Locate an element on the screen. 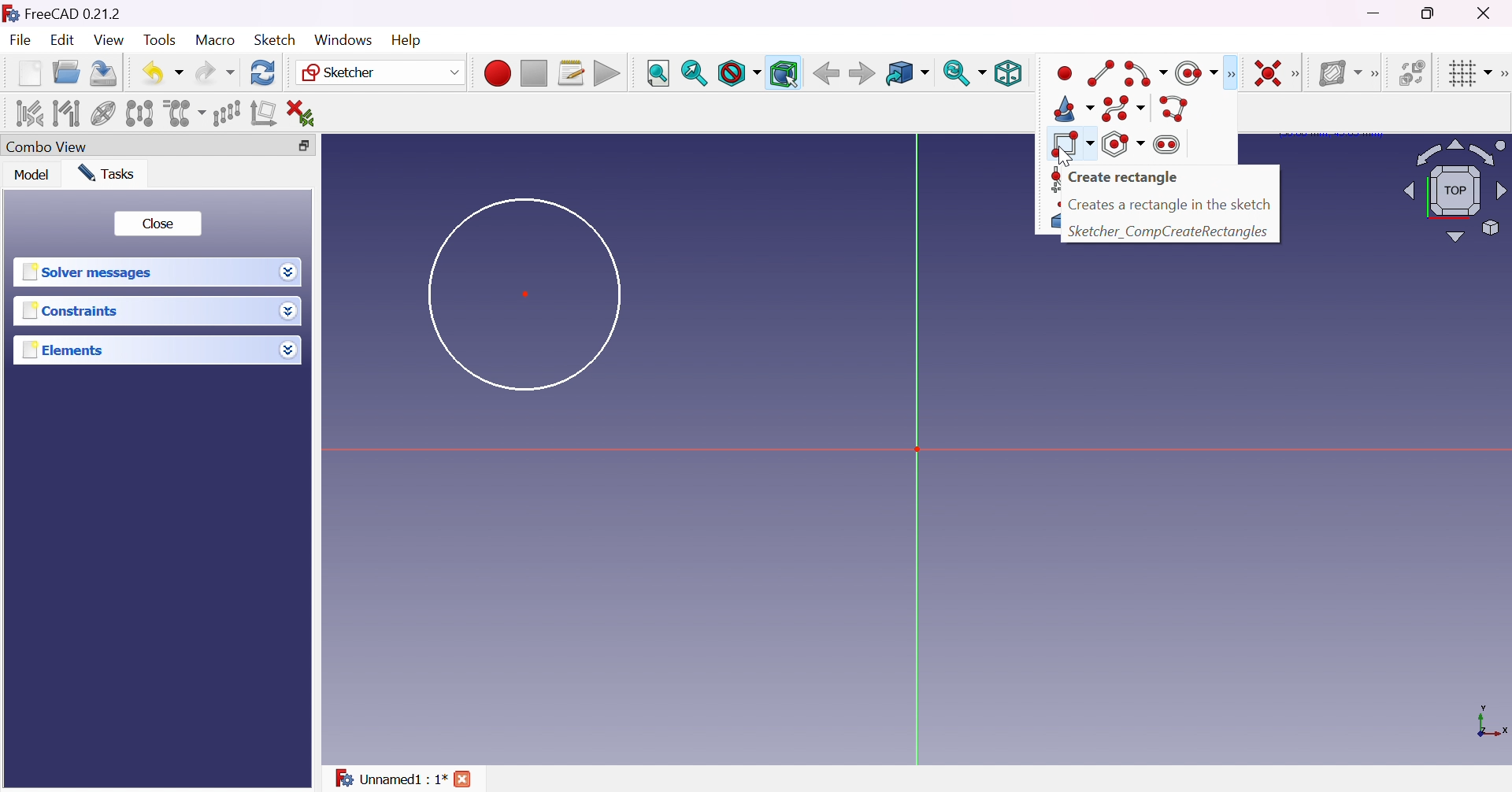  Constraints is located at coordinates (71, 312).